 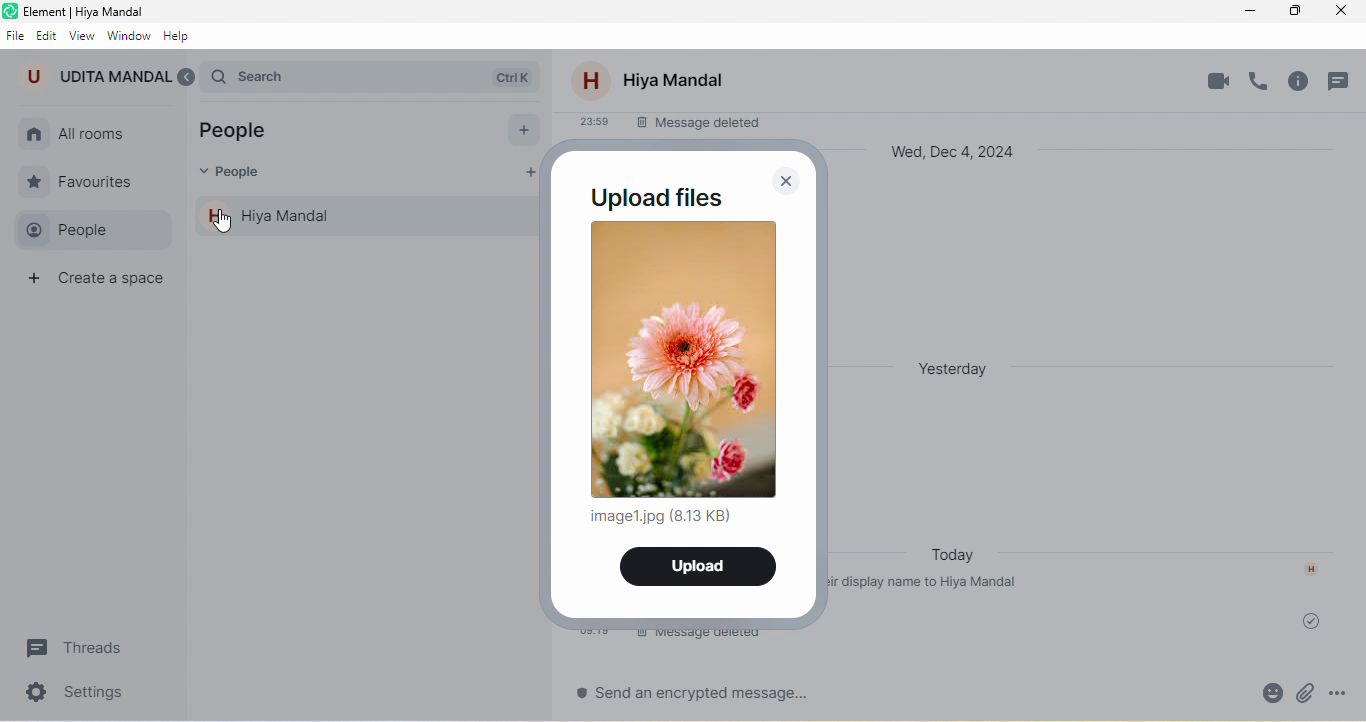 I want to click on Cursor, so click(x=222, y=222).